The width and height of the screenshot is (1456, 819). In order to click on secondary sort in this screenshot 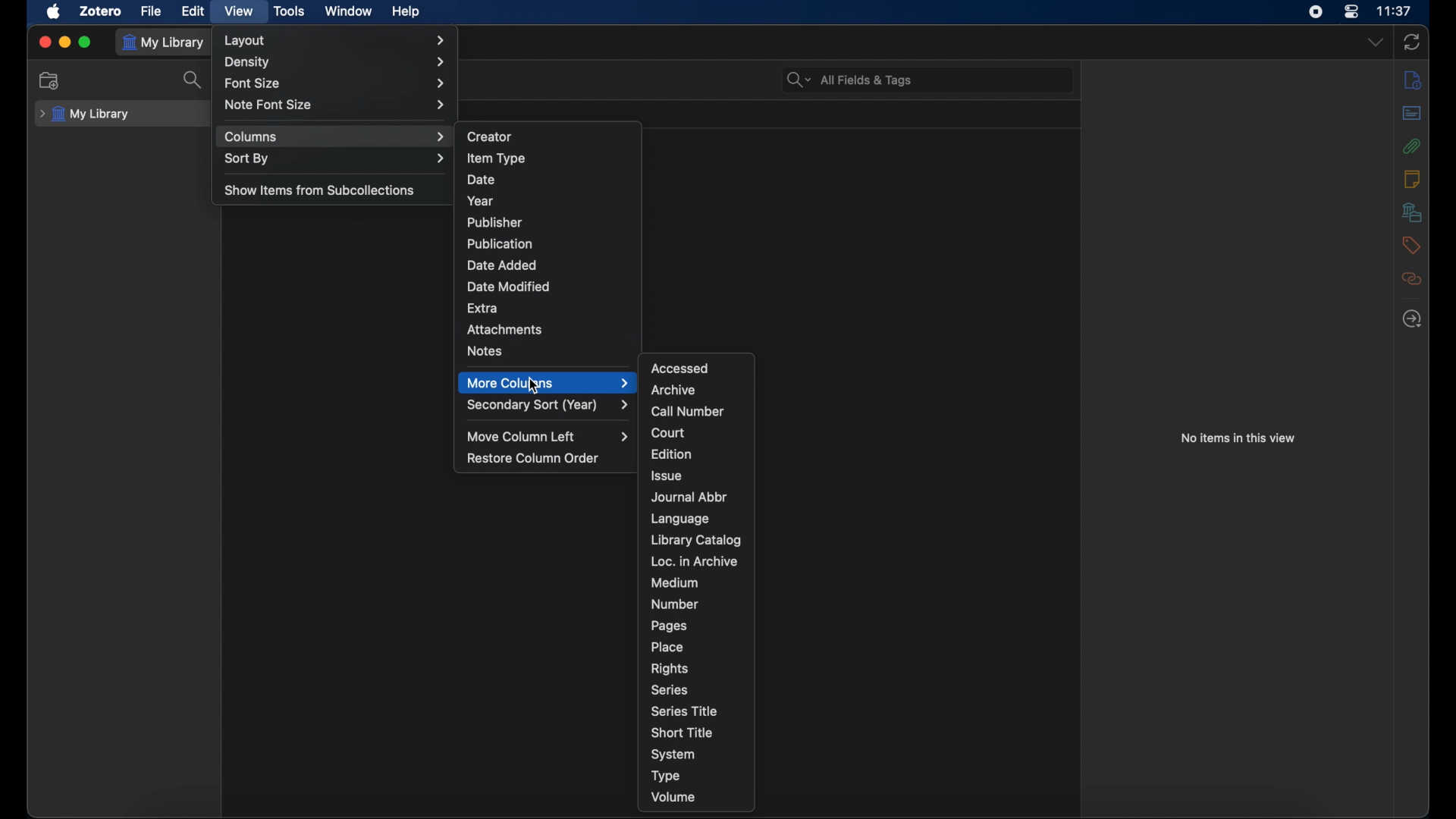, I will do `click(549, 404)`.